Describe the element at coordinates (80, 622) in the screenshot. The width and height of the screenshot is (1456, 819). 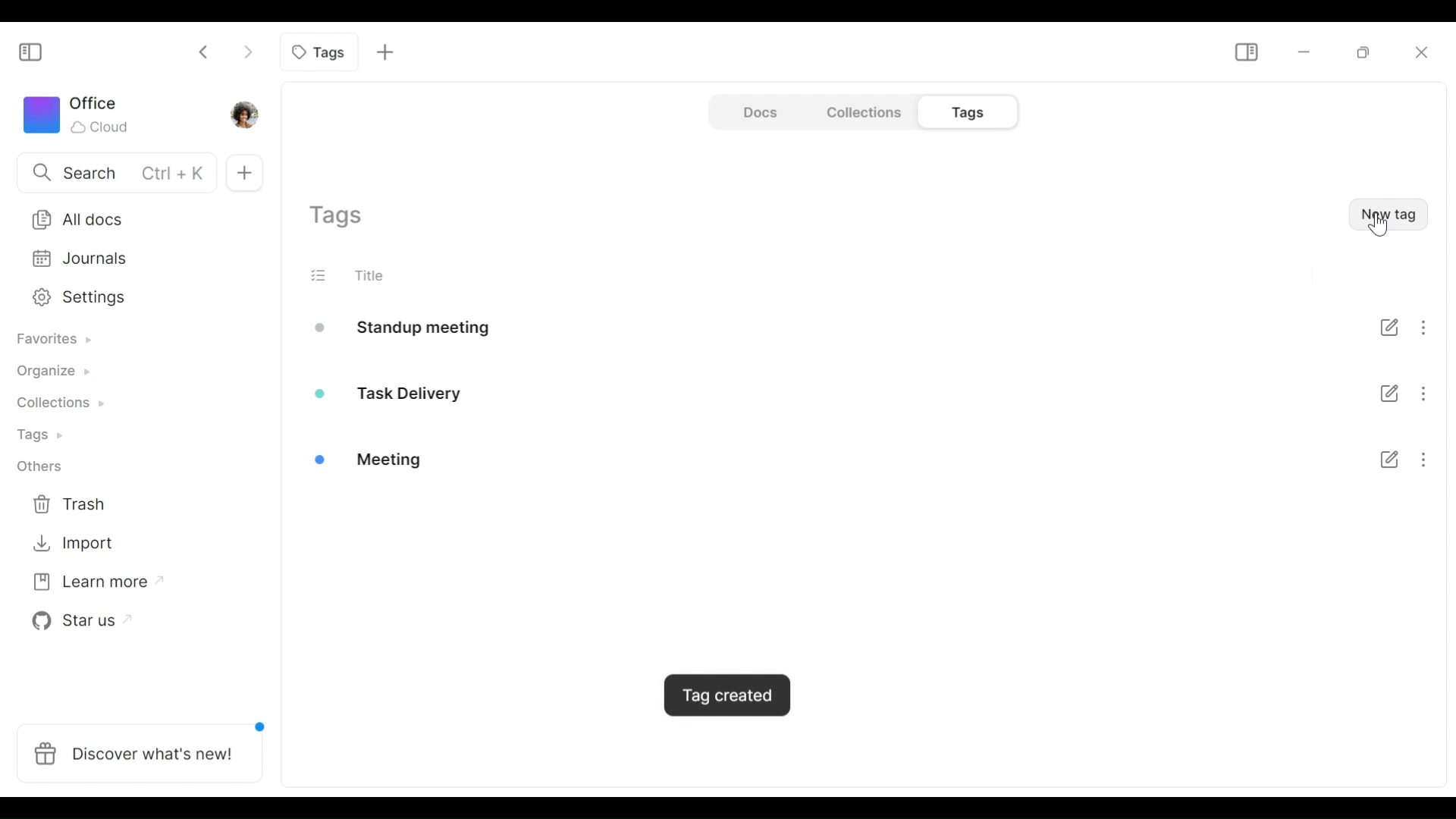
I see `Star us` at that location.